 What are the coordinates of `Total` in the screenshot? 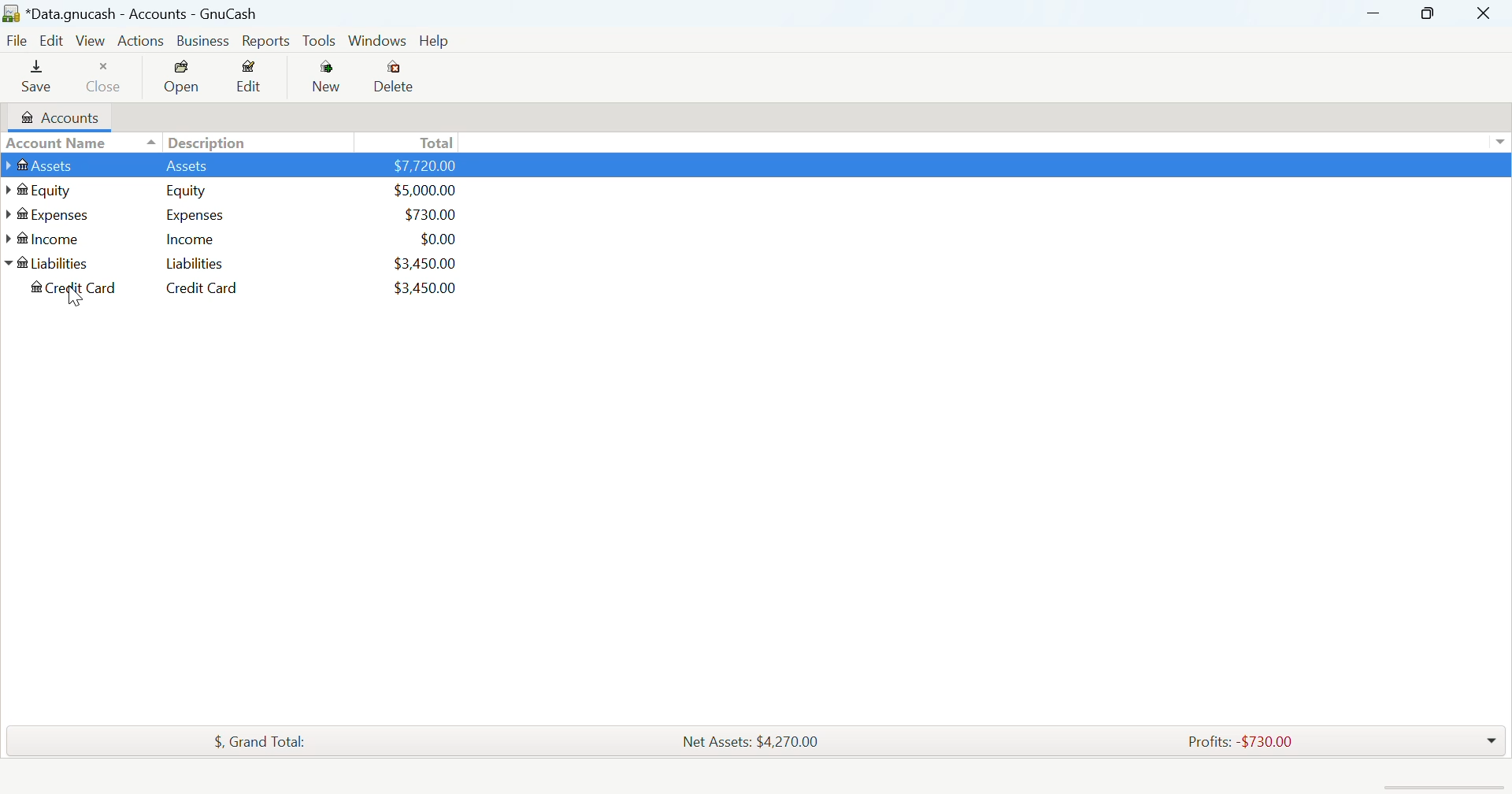 It's located at (434, 143).